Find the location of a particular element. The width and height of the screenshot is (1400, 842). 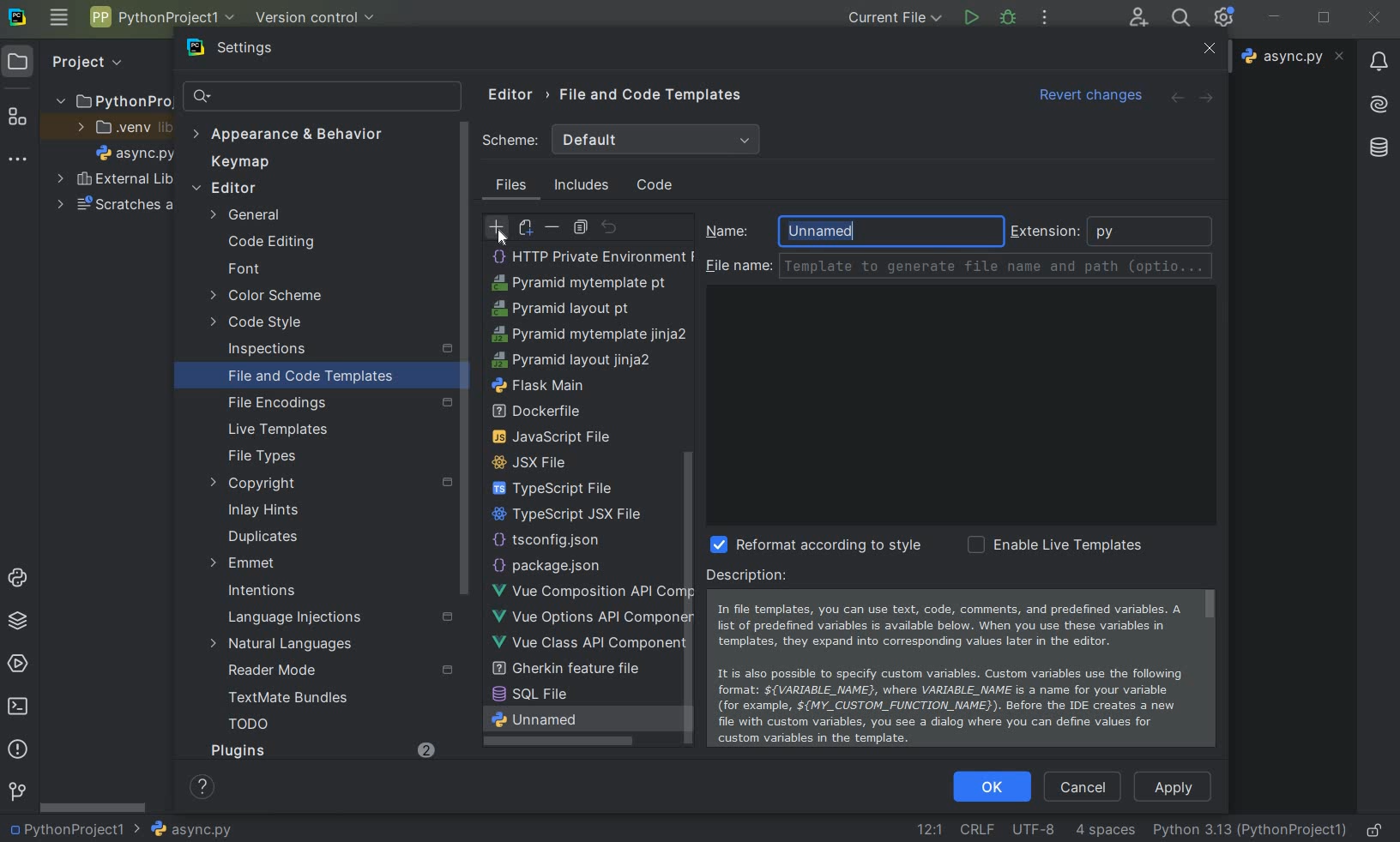

debug is located at coordinates (1007, 18).